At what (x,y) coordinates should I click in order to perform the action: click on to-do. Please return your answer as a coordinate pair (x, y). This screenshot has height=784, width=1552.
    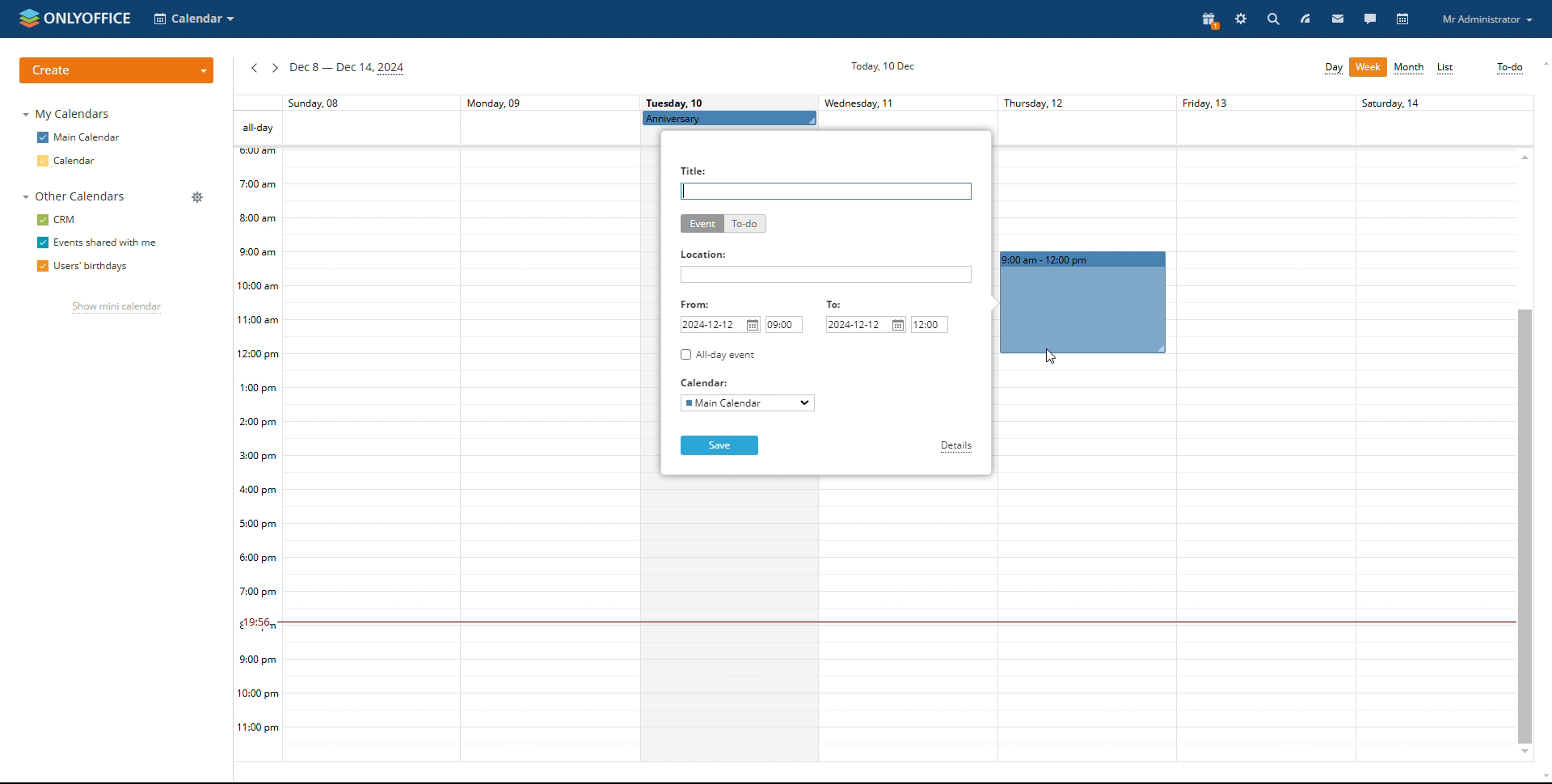
    Looking at the image, I should click on (1509, 68).